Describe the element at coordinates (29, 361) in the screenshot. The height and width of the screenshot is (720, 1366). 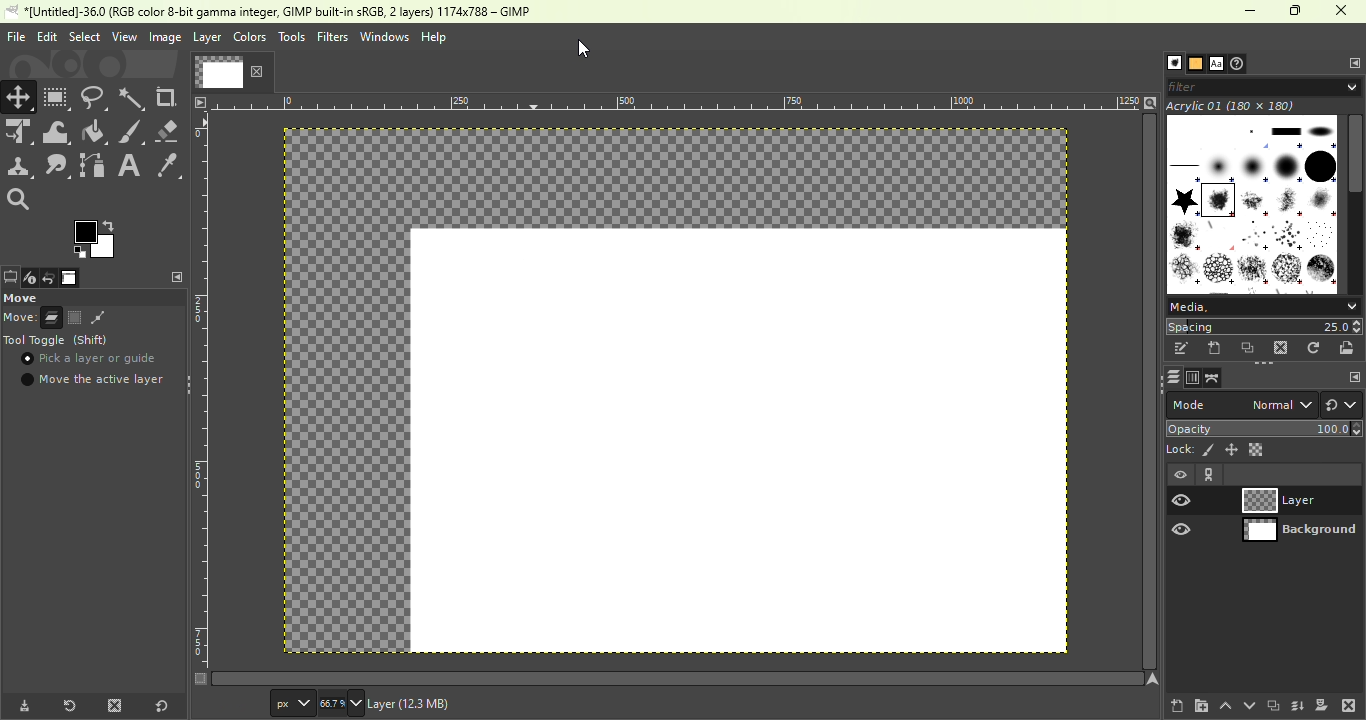
I see `Cursor` at that location.